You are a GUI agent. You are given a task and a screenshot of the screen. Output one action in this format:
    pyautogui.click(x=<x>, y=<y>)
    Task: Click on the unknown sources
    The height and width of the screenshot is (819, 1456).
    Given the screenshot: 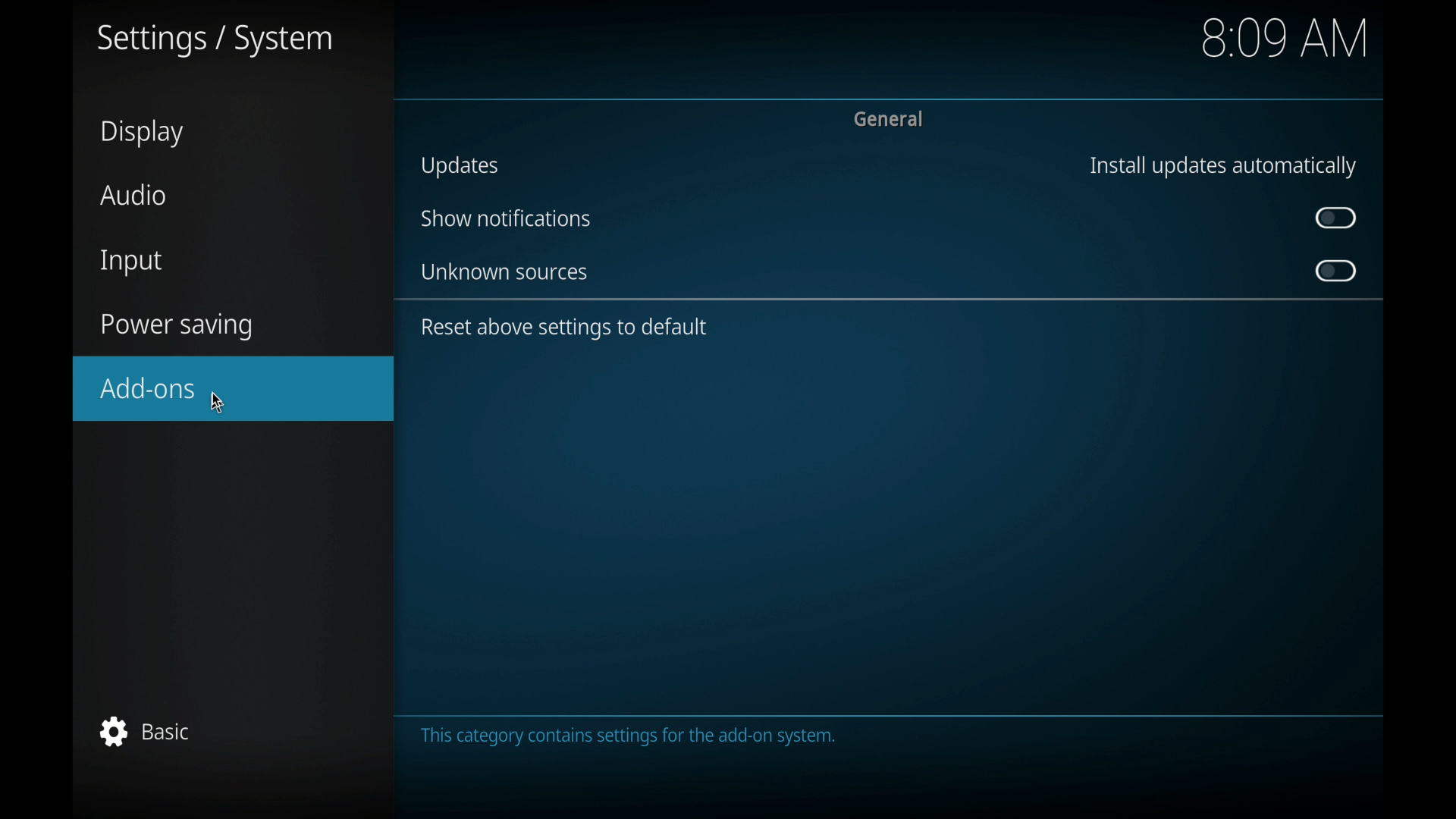 What is the action you would take?
    pyautogui.click(x=505, y=273)
    